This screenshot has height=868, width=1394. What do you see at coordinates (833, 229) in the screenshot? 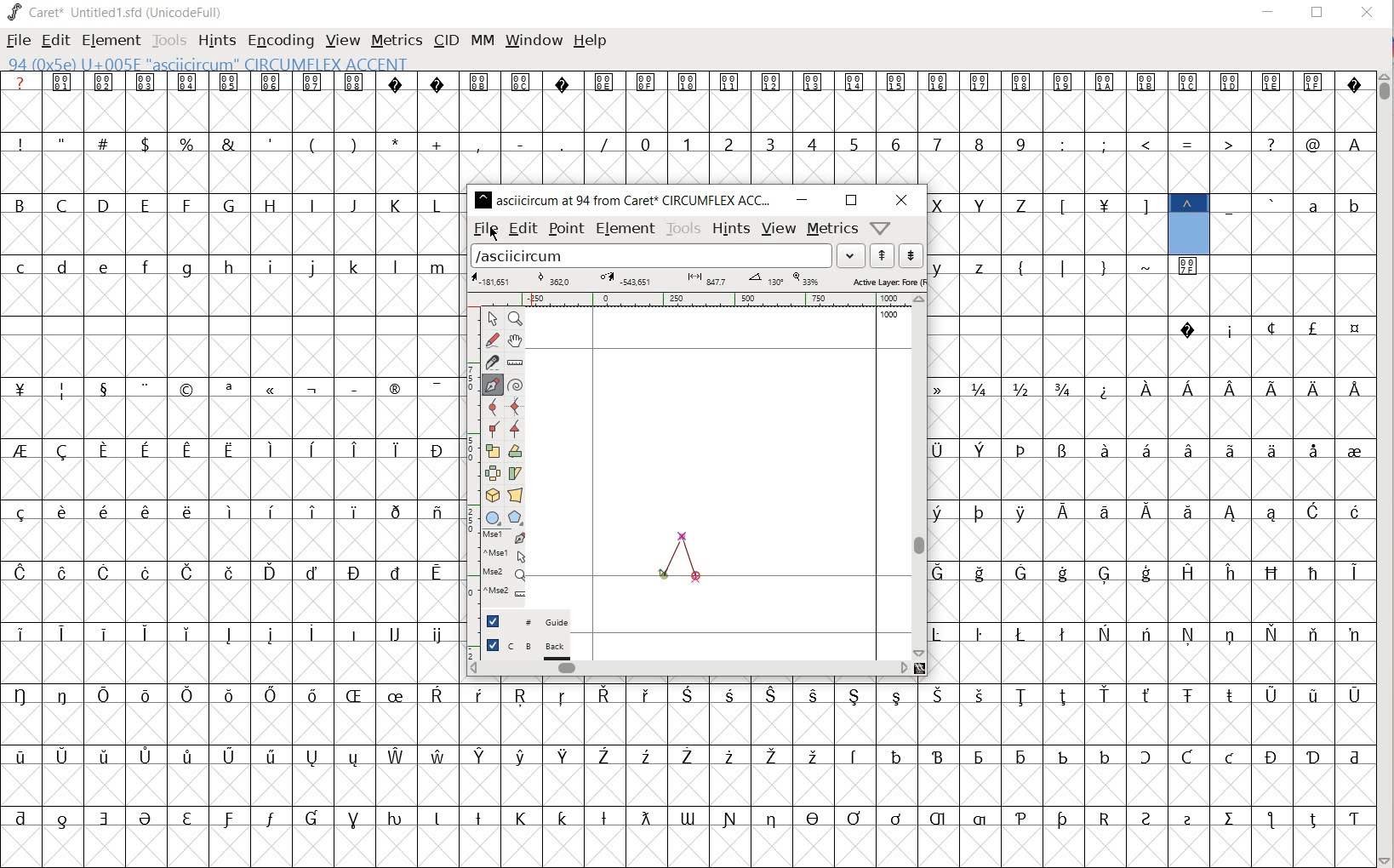
I see `metrics` at bounding box center [833, 229].